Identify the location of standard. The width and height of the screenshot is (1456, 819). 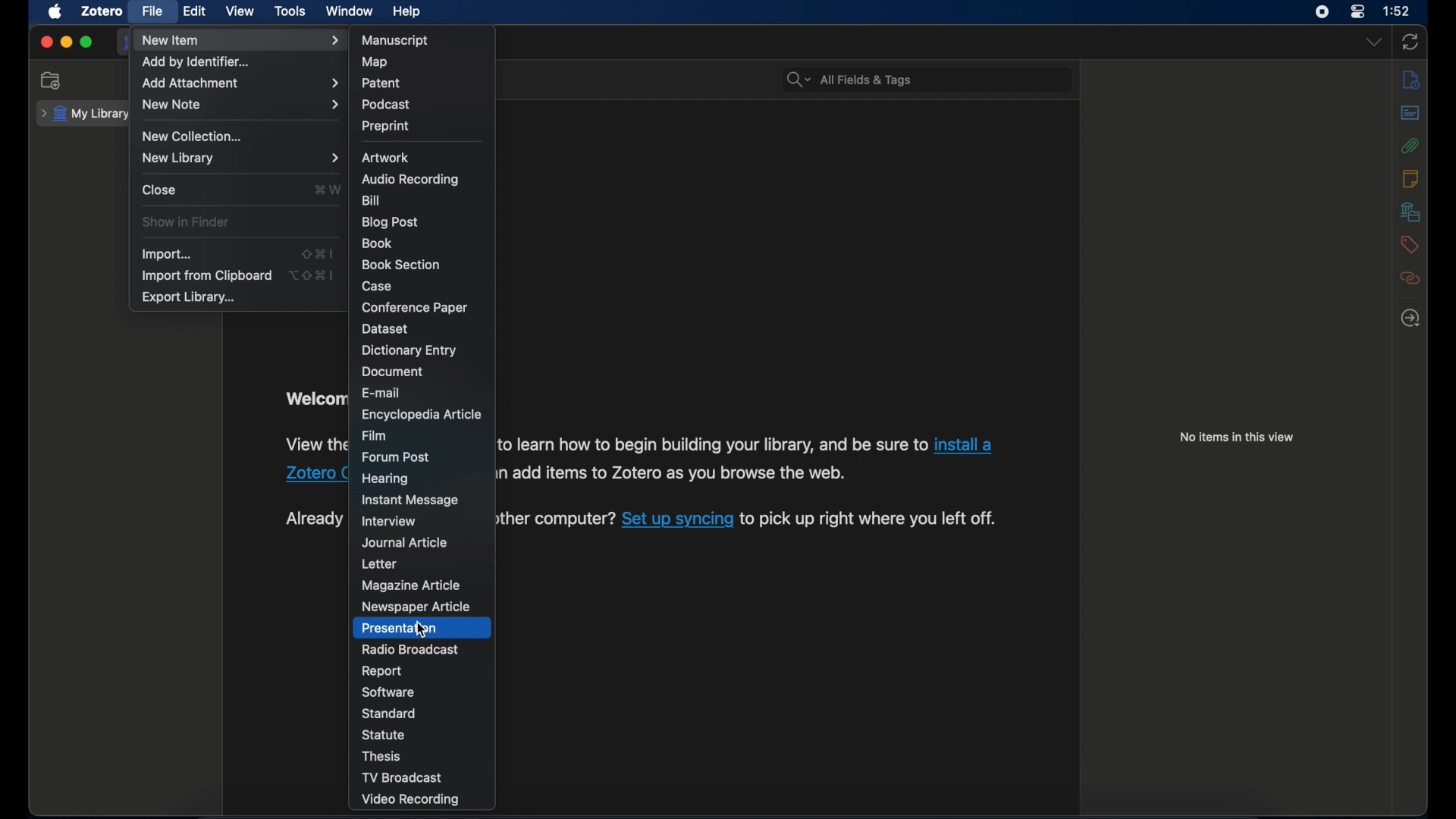
(391, 713).